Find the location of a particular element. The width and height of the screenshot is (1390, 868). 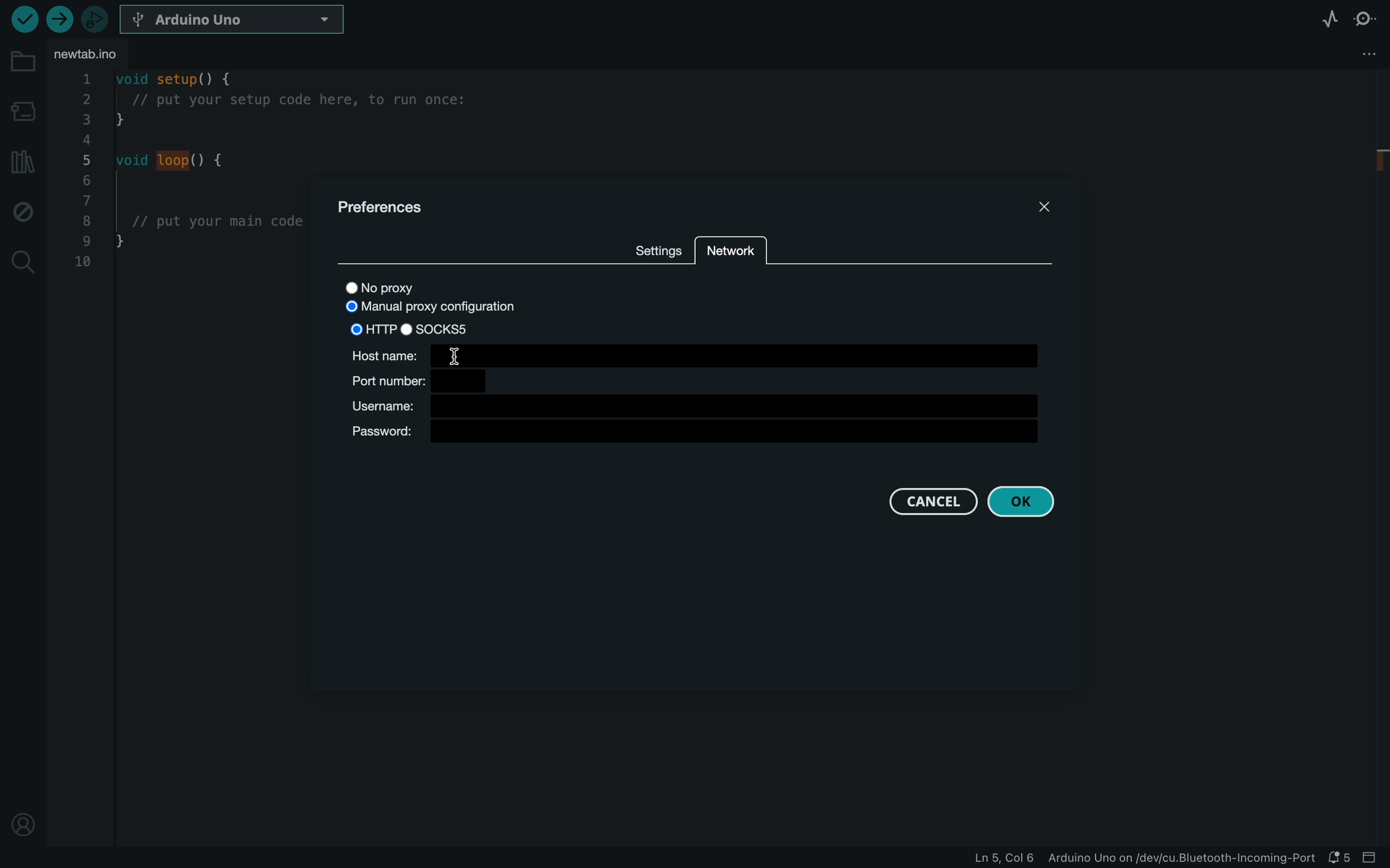

serial monitor is located at coordinates (1365, 18).